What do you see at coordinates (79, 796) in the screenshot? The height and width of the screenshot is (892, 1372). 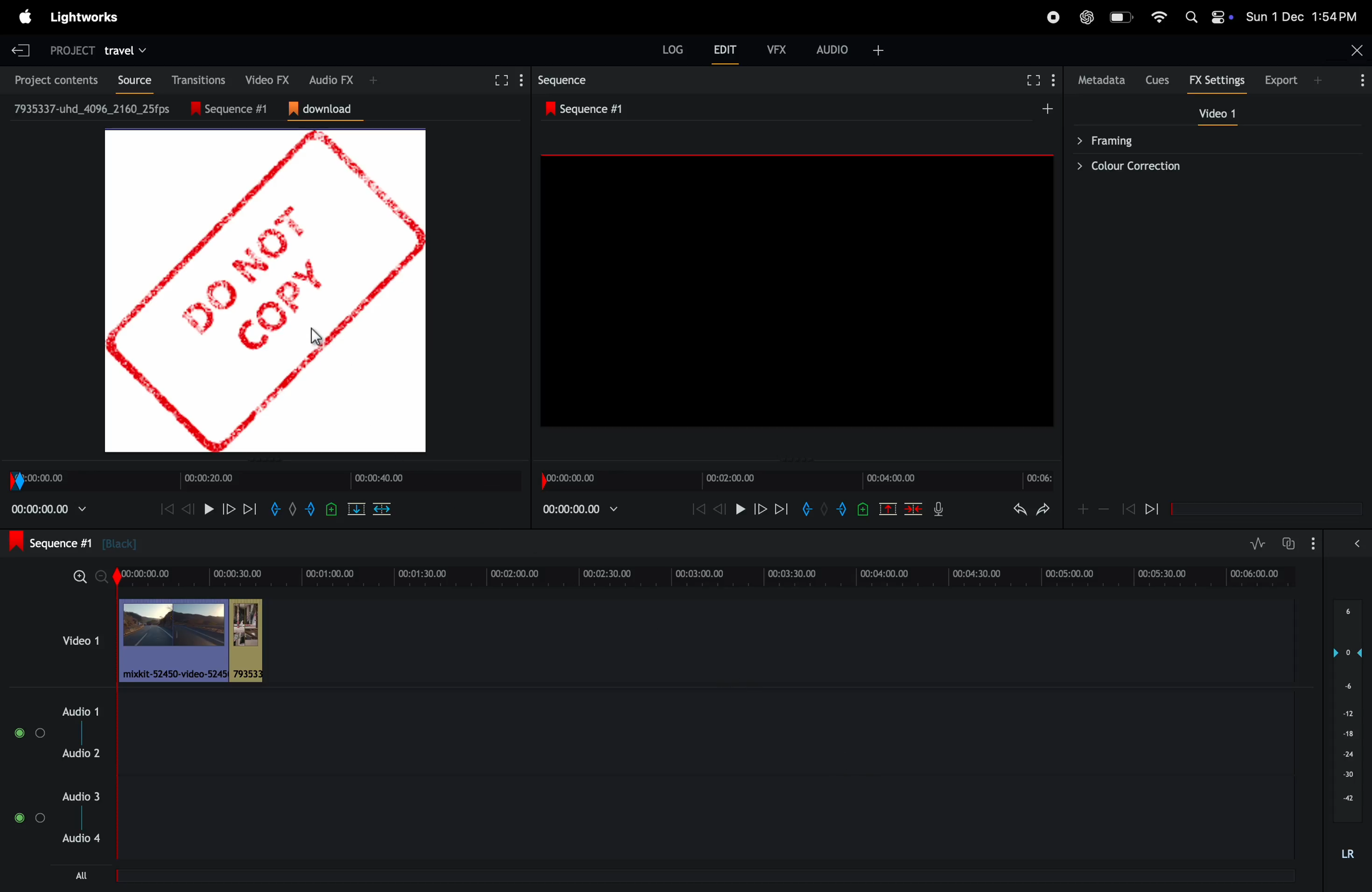 I see `audio 3` at bounding box center [79, 796].